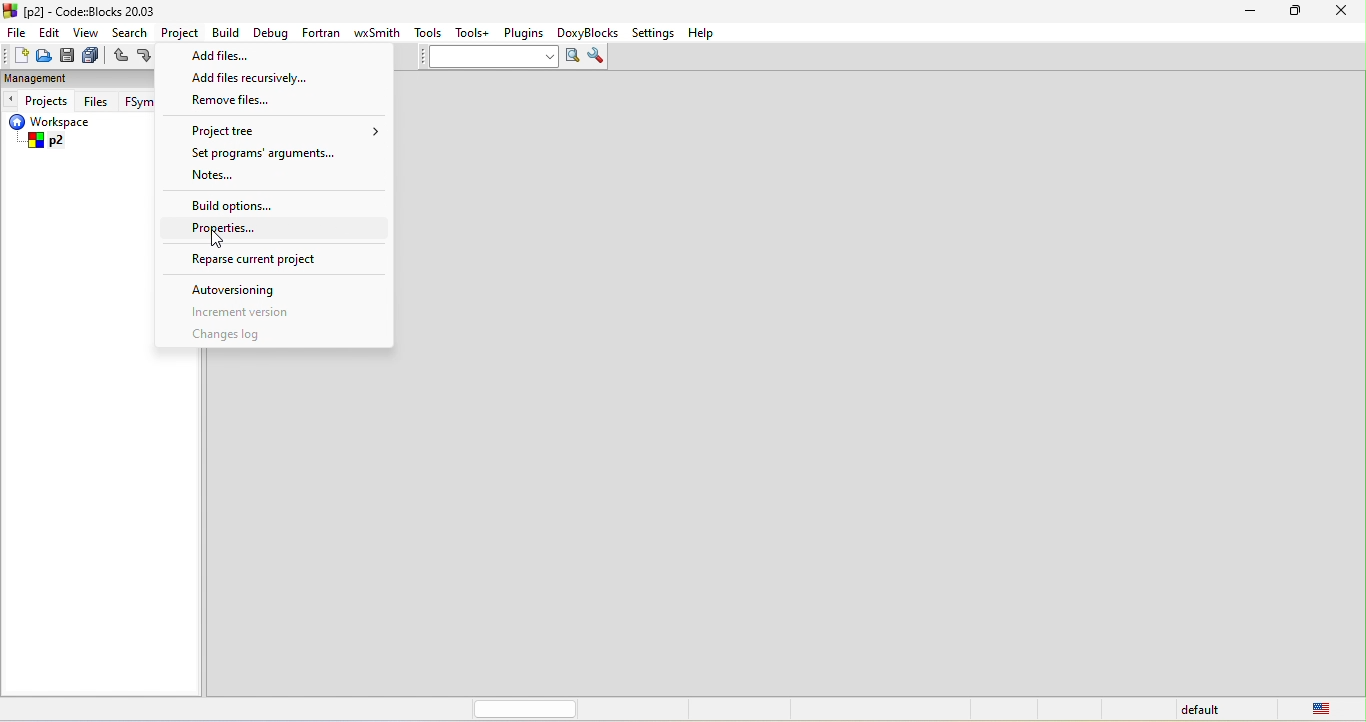 The image size is (1366, 722). What do you see at coordinates (36, 78) in the screenshot?
I see `management` at bounding box center [36, 78].